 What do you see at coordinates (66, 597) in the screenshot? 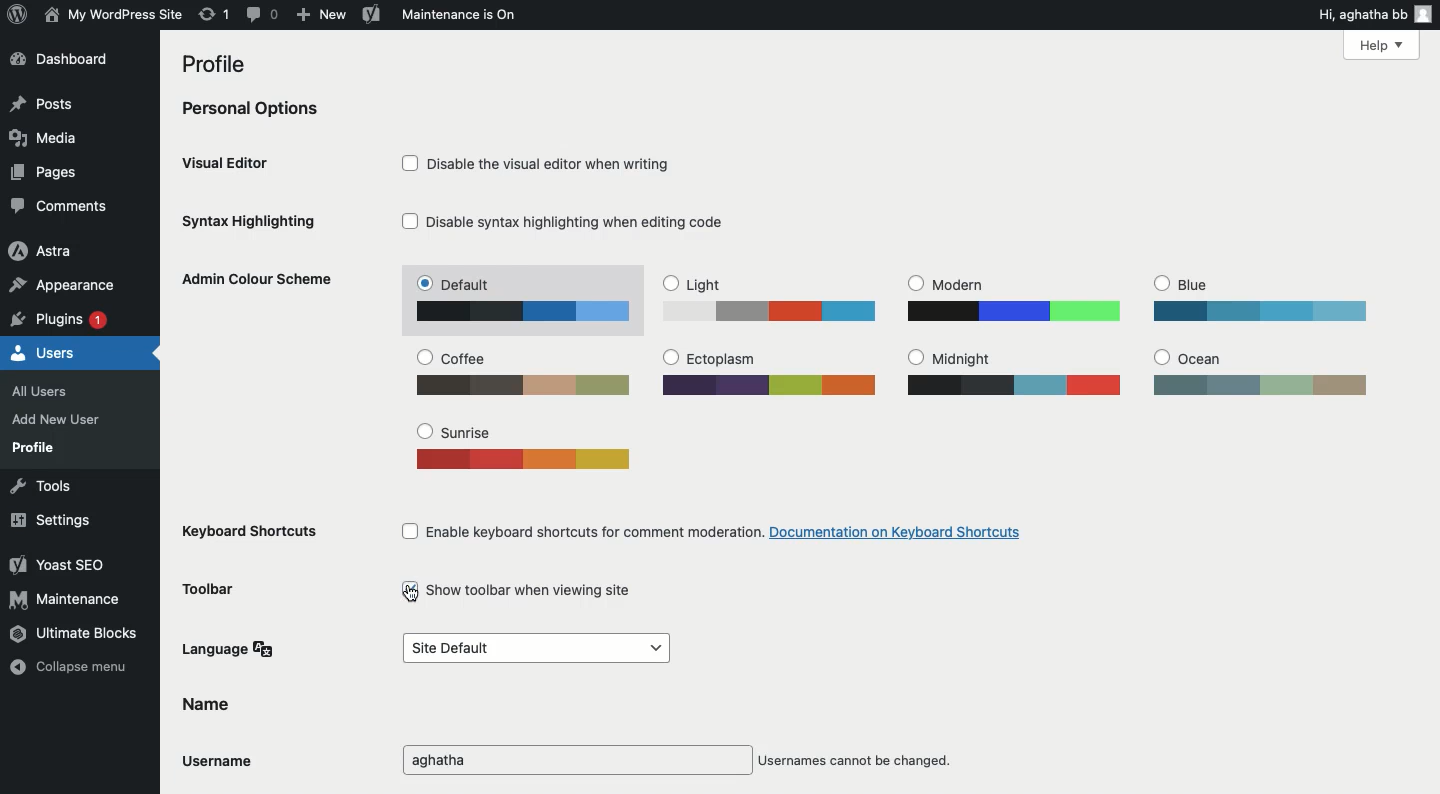
I see `Maintenance` at bounding box center [66, 597].